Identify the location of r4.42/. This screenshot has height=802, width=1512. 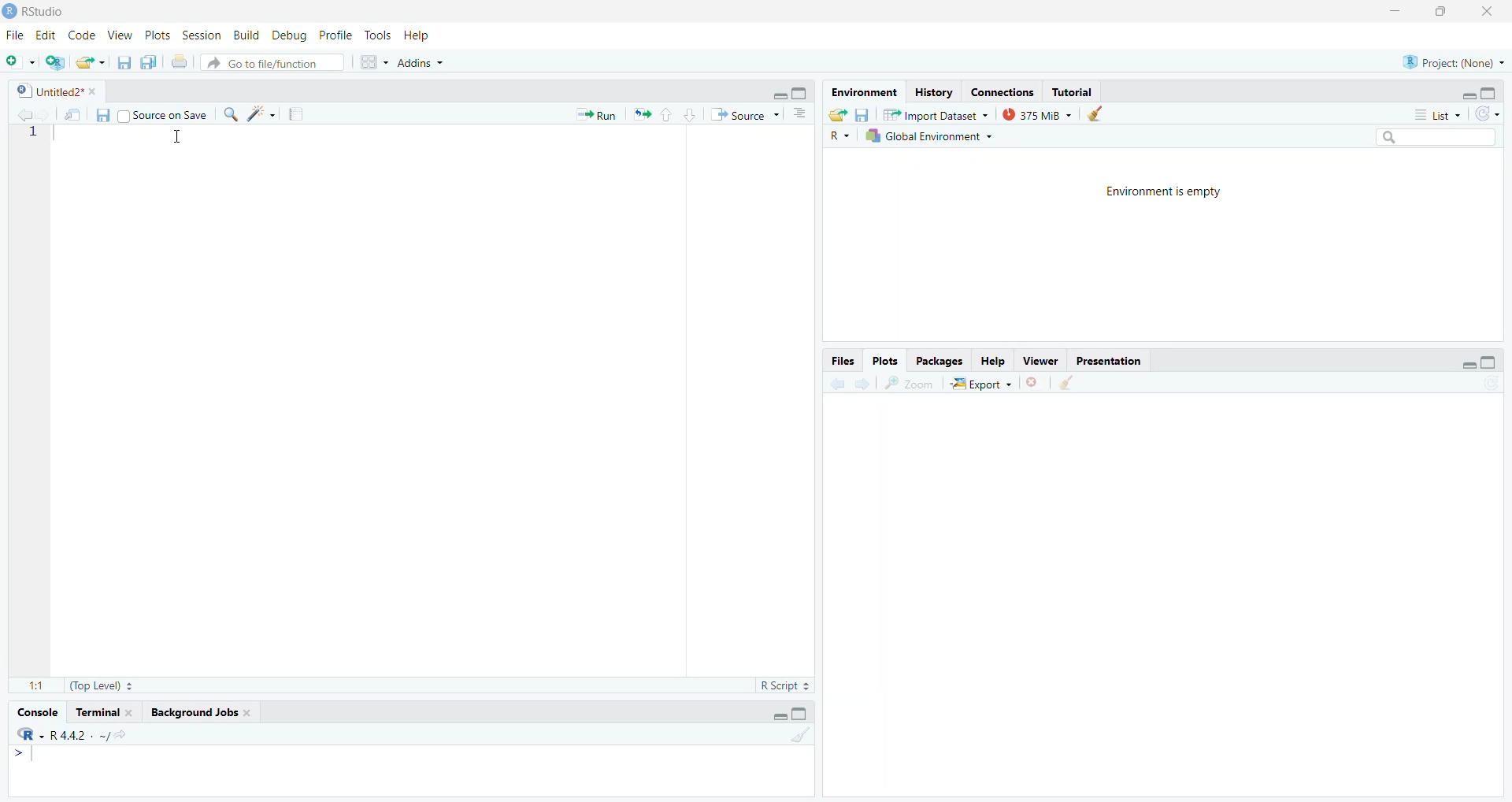
(97, 733).